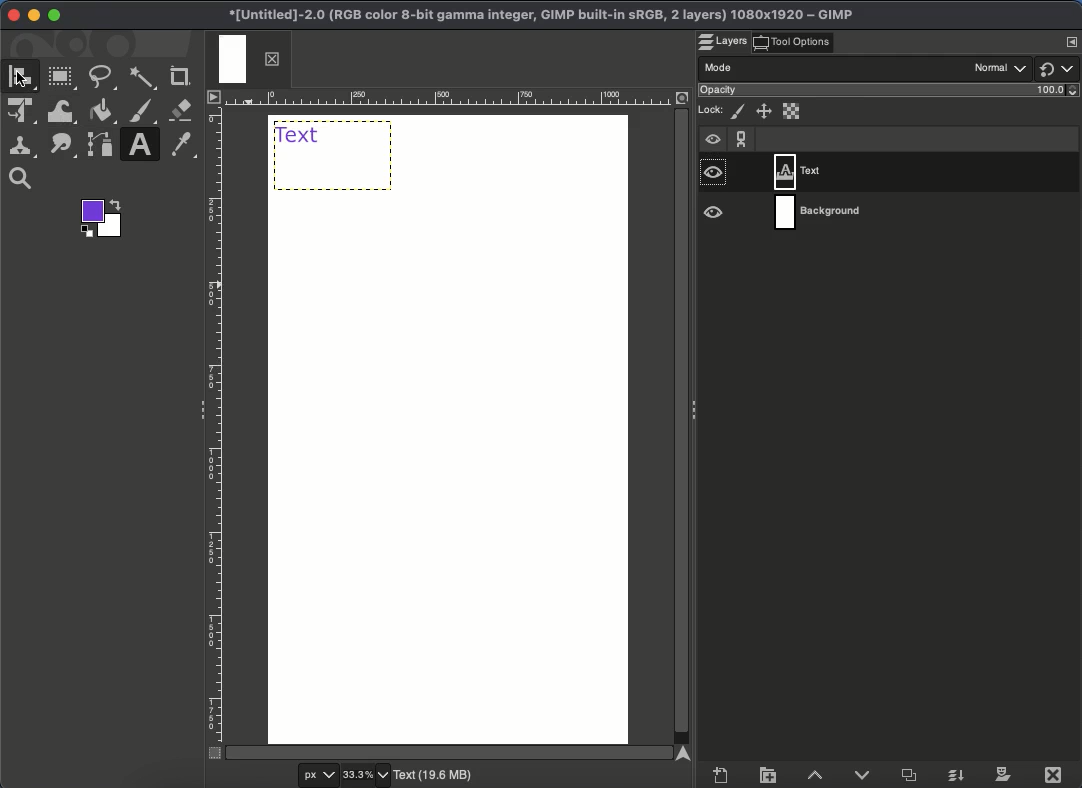 The height and width of the screenshot is (788, 1082). What do you see at coordinates (185, 146) in the screenshot?
I see `Color picker` at bounding box center [185, 146].